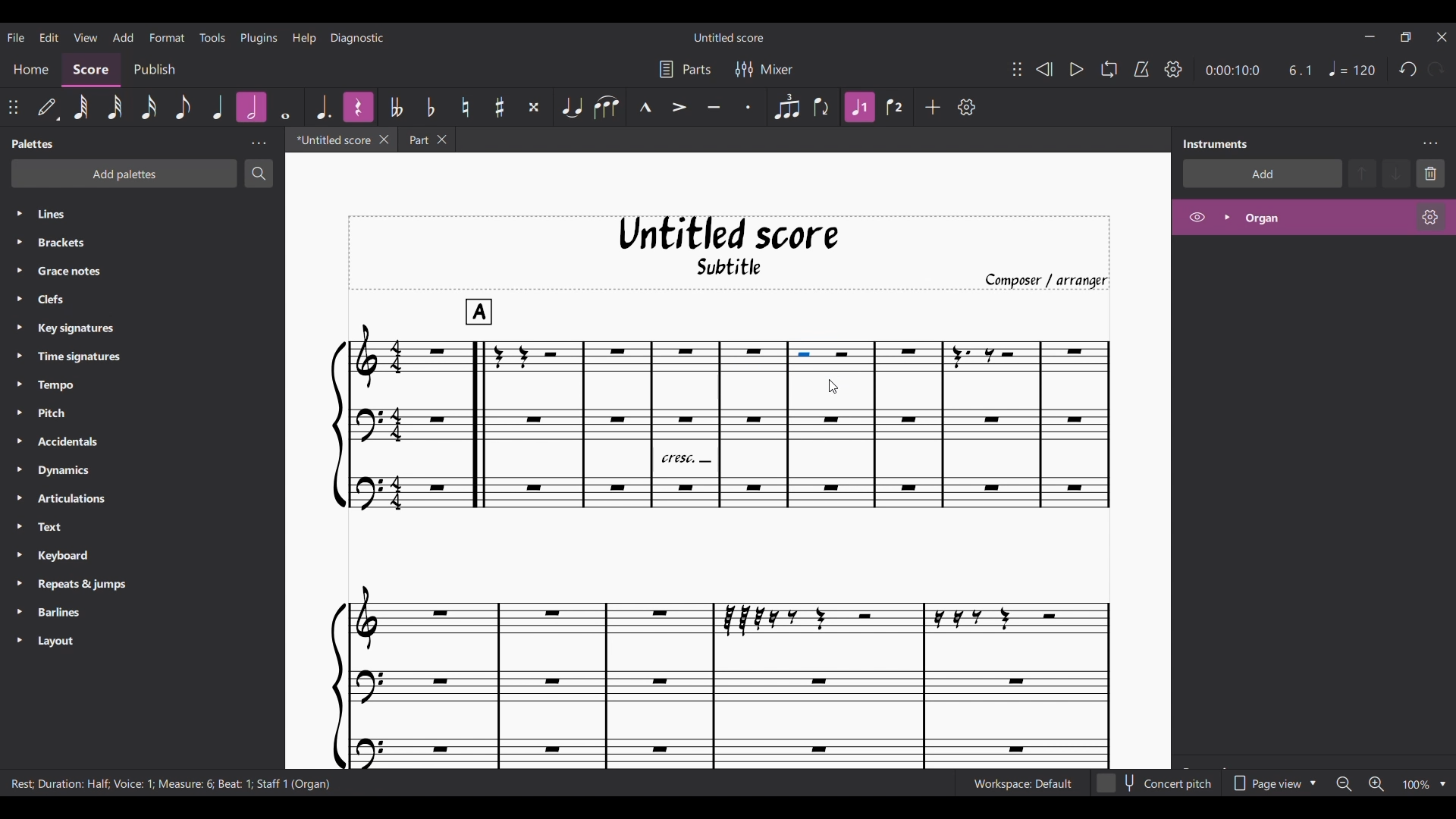  I want to click on Edit menu, so click(49, 36).